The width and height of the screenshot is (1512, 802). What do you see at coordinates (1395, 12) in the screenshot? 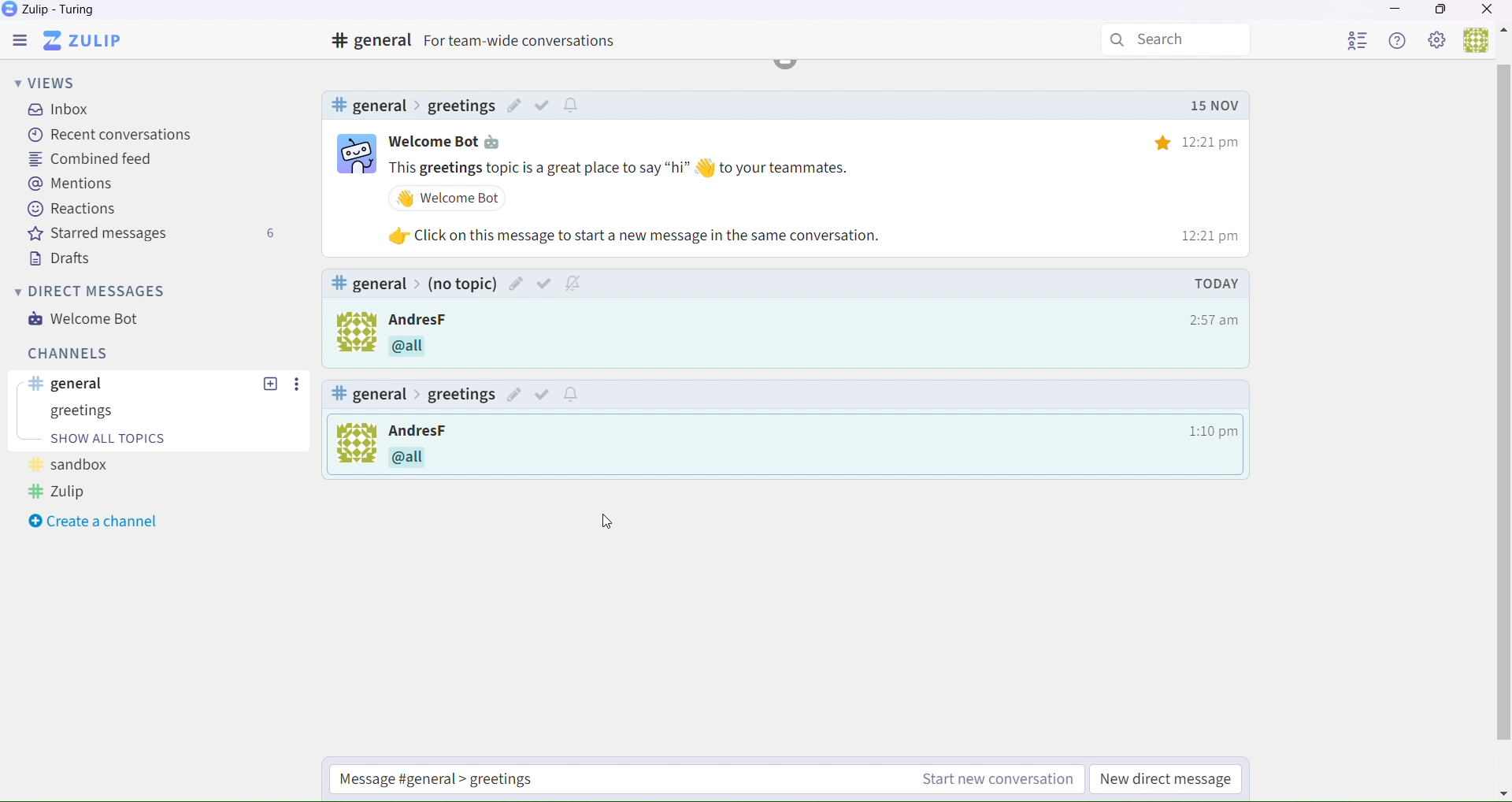
I see `Minimize` at bounding box center [1395, 12].